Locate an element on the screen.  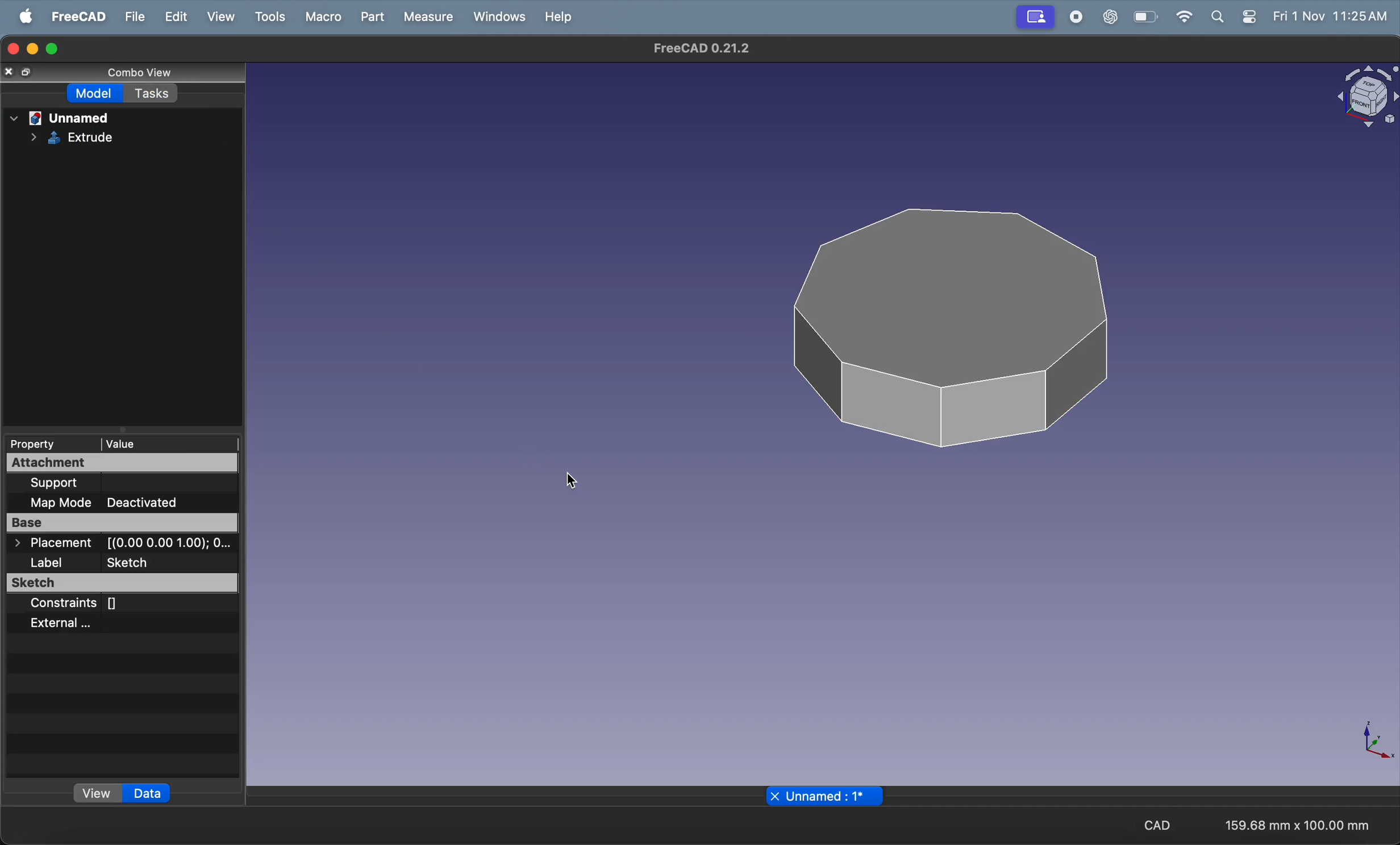
tasks is located at coordinates (152, 94).